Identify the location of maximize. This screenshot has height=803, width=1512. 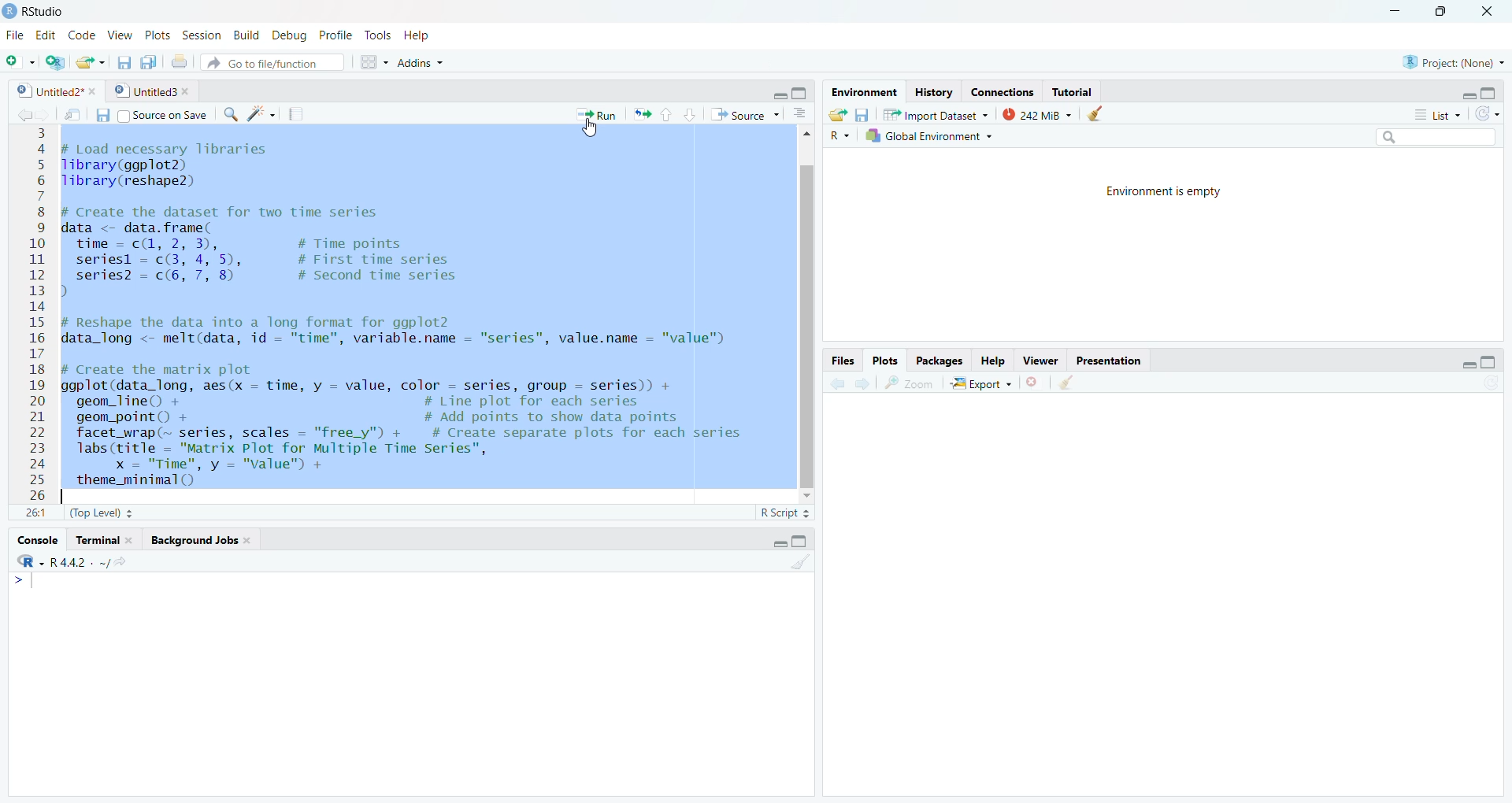
(1490, 362).